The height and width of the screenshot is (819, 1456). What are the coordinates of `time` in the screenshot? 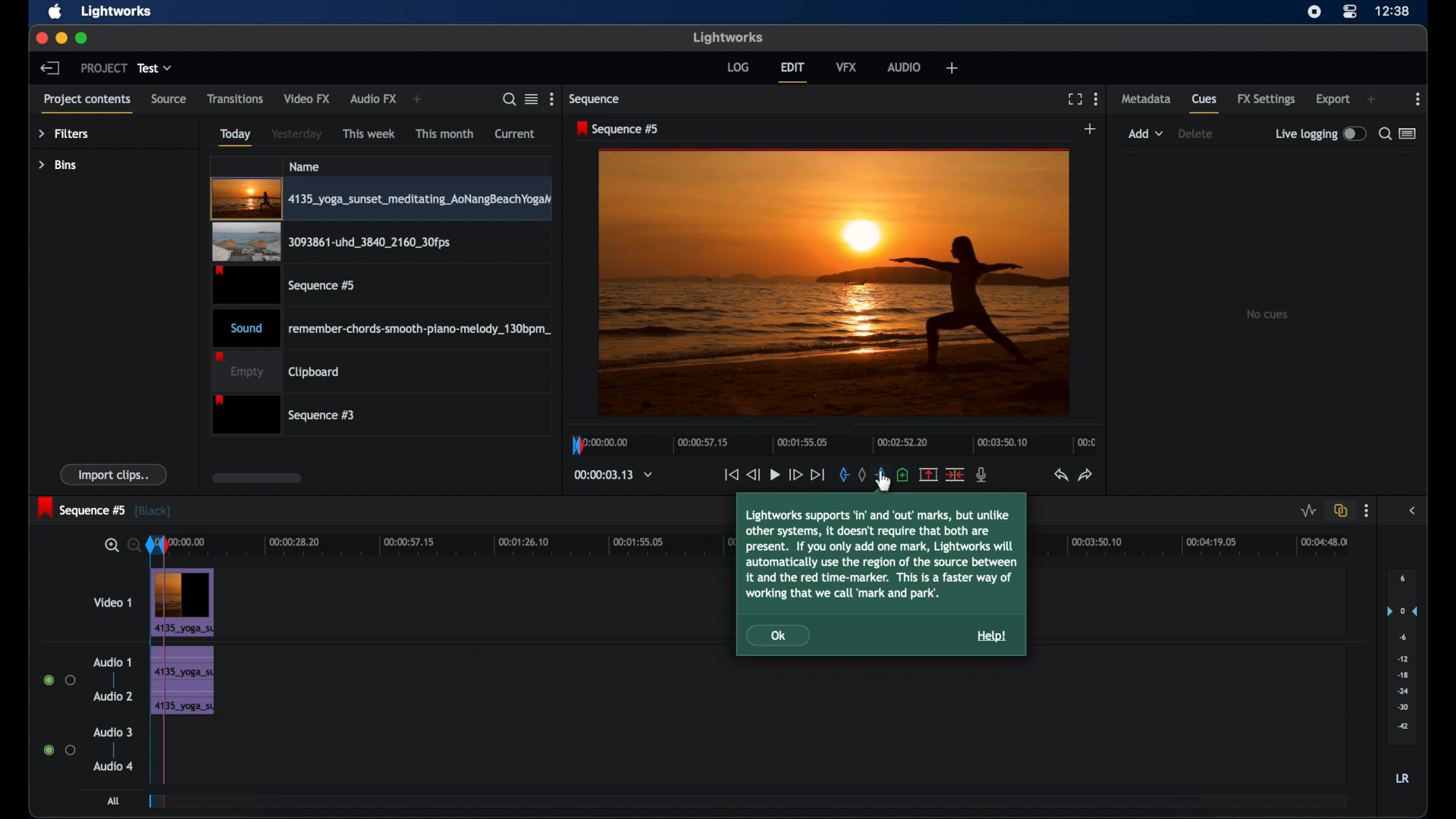 It's located at (1394, 11).